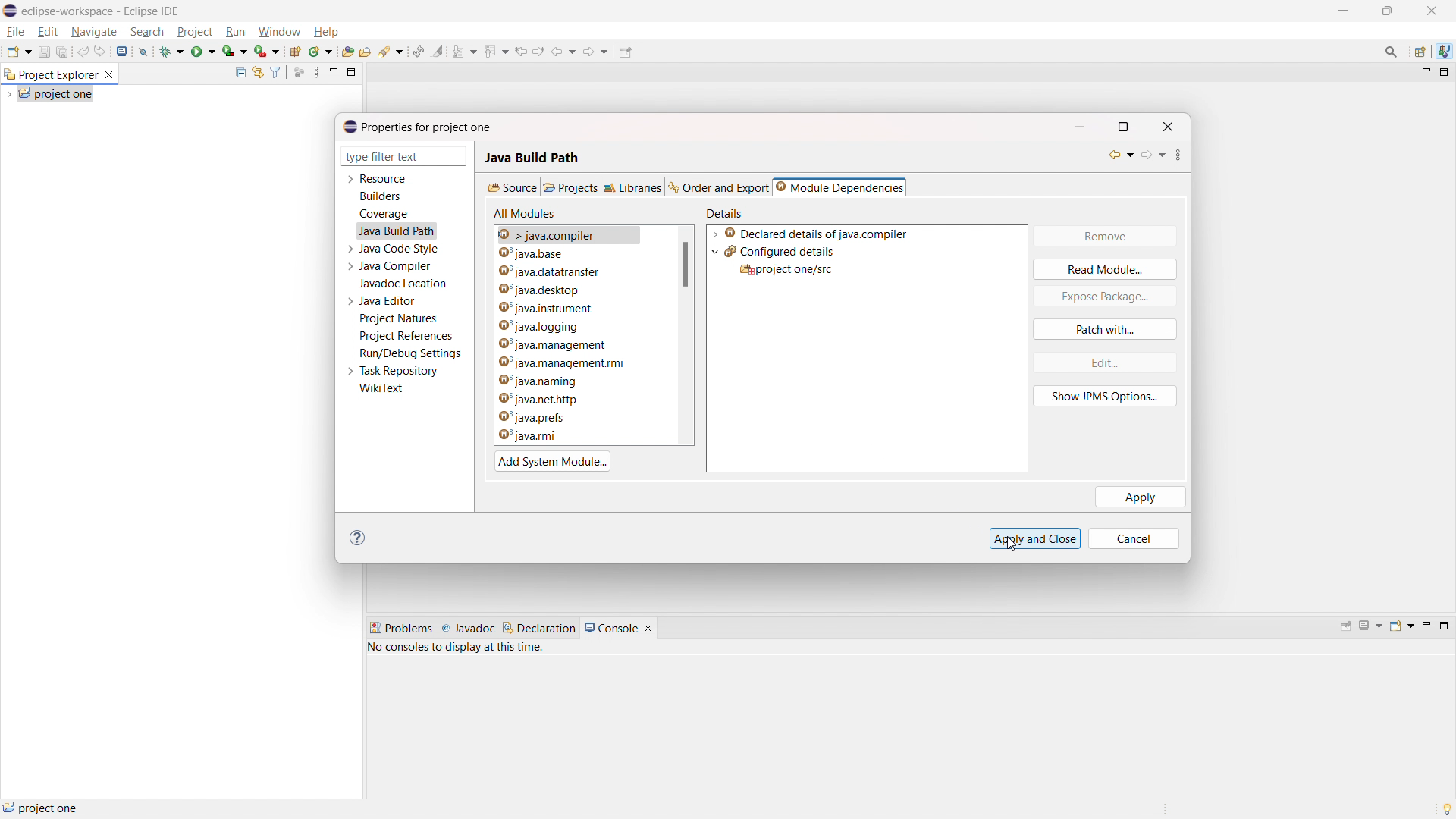  What do you see at coordinates (399, 318) in the screenshot?
I see `project natures` at bounding box center [399, 318].